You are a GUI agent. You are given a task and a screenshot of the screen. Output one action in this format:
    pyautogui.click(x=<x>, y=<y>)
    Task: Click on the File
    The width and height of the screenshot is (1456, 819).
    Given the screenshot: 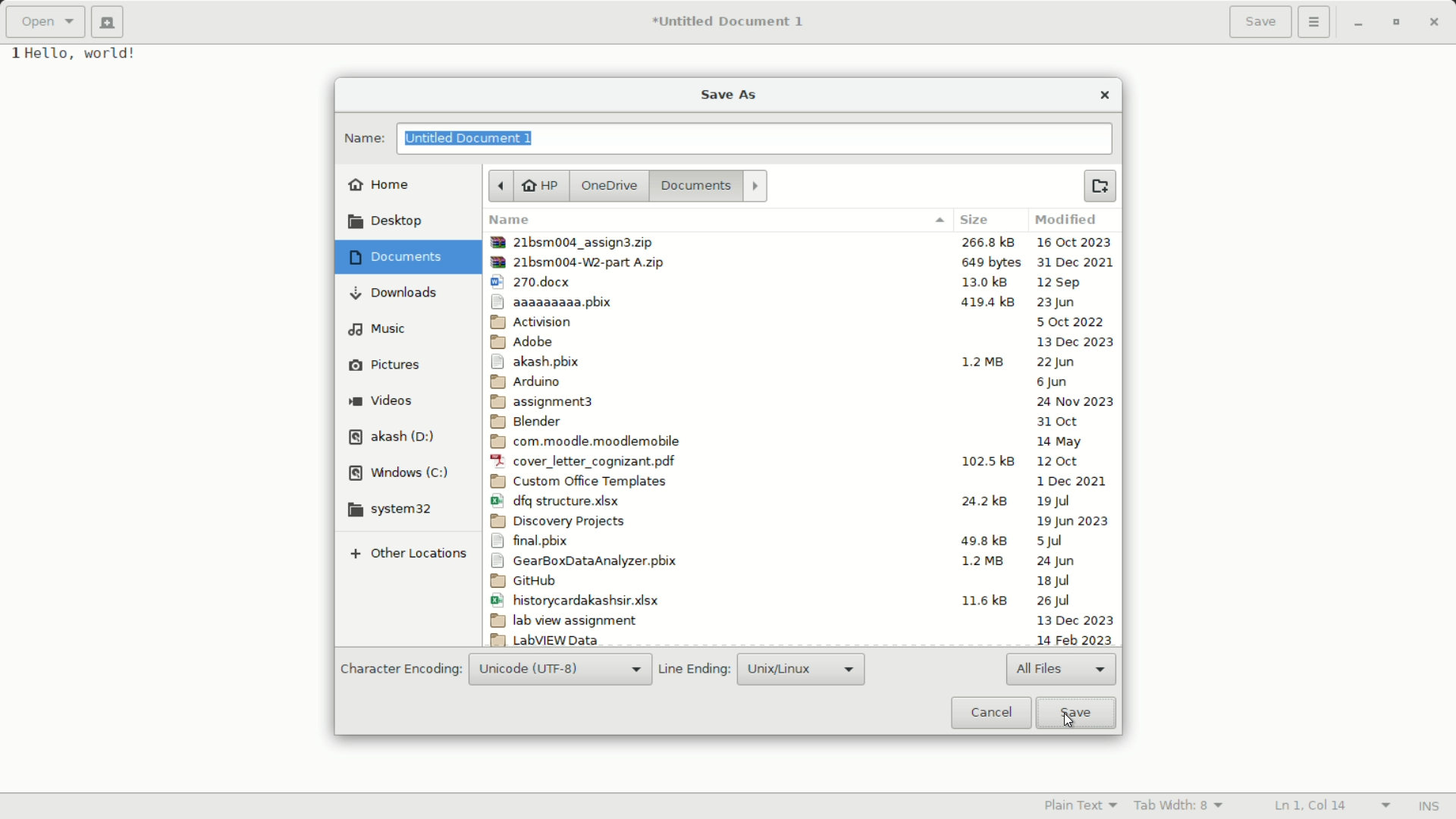 What is the action you would take?
    pyautogui.click(x=799, y=519)
    